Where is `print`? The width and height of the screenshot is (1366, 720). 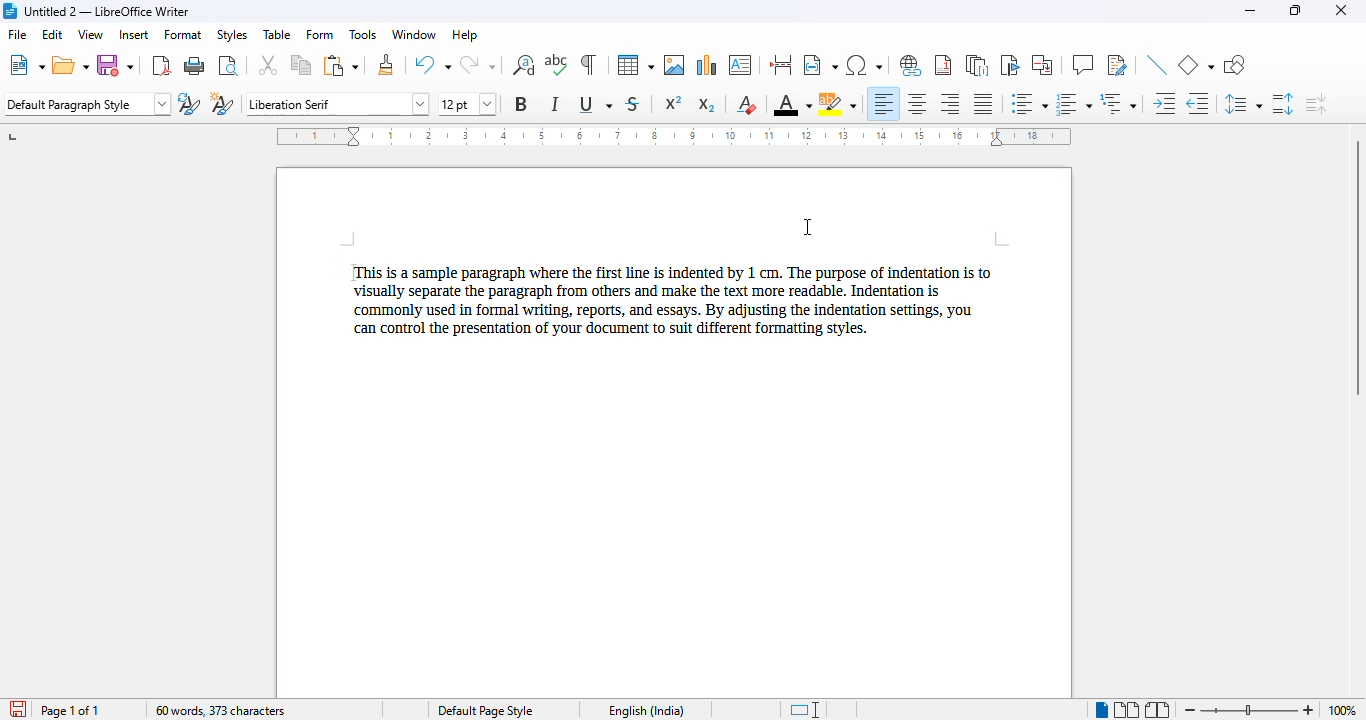
print is located at coordinates (195, 65).